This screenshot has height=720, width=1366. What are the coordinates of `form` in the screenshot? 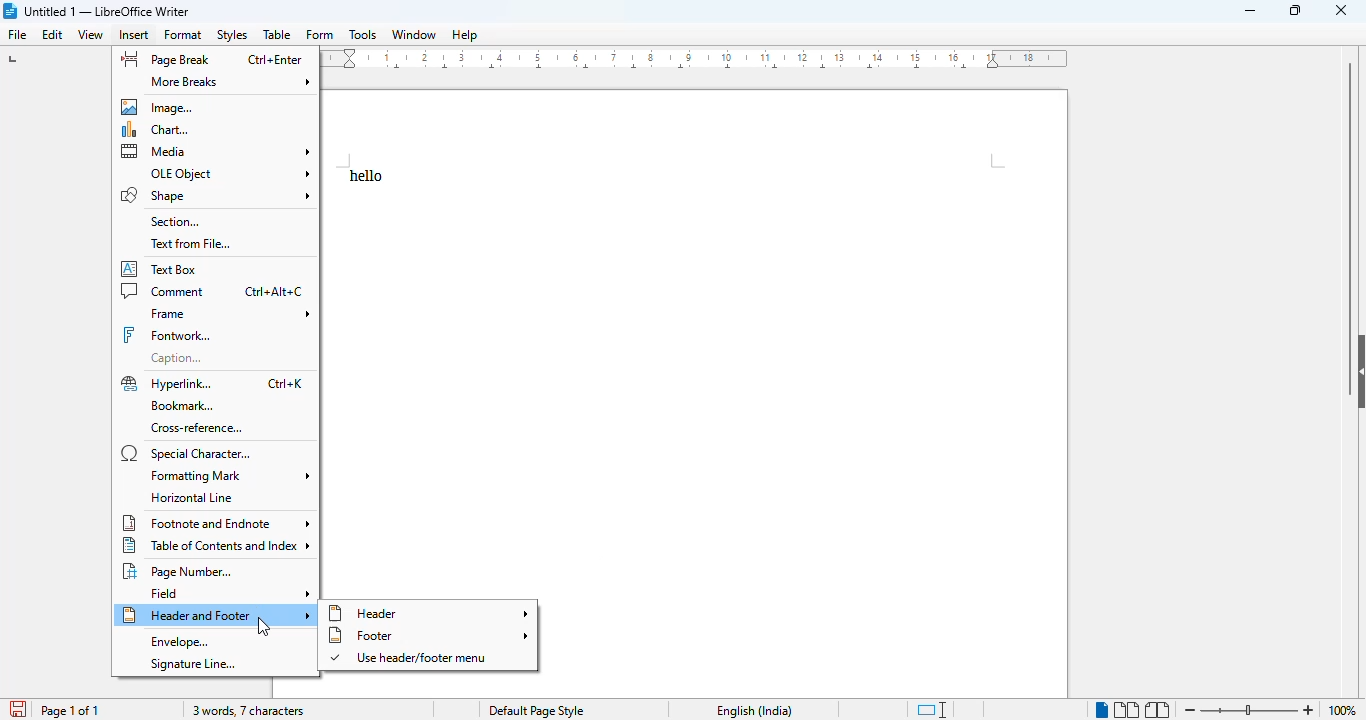 It's located at (320, 34).